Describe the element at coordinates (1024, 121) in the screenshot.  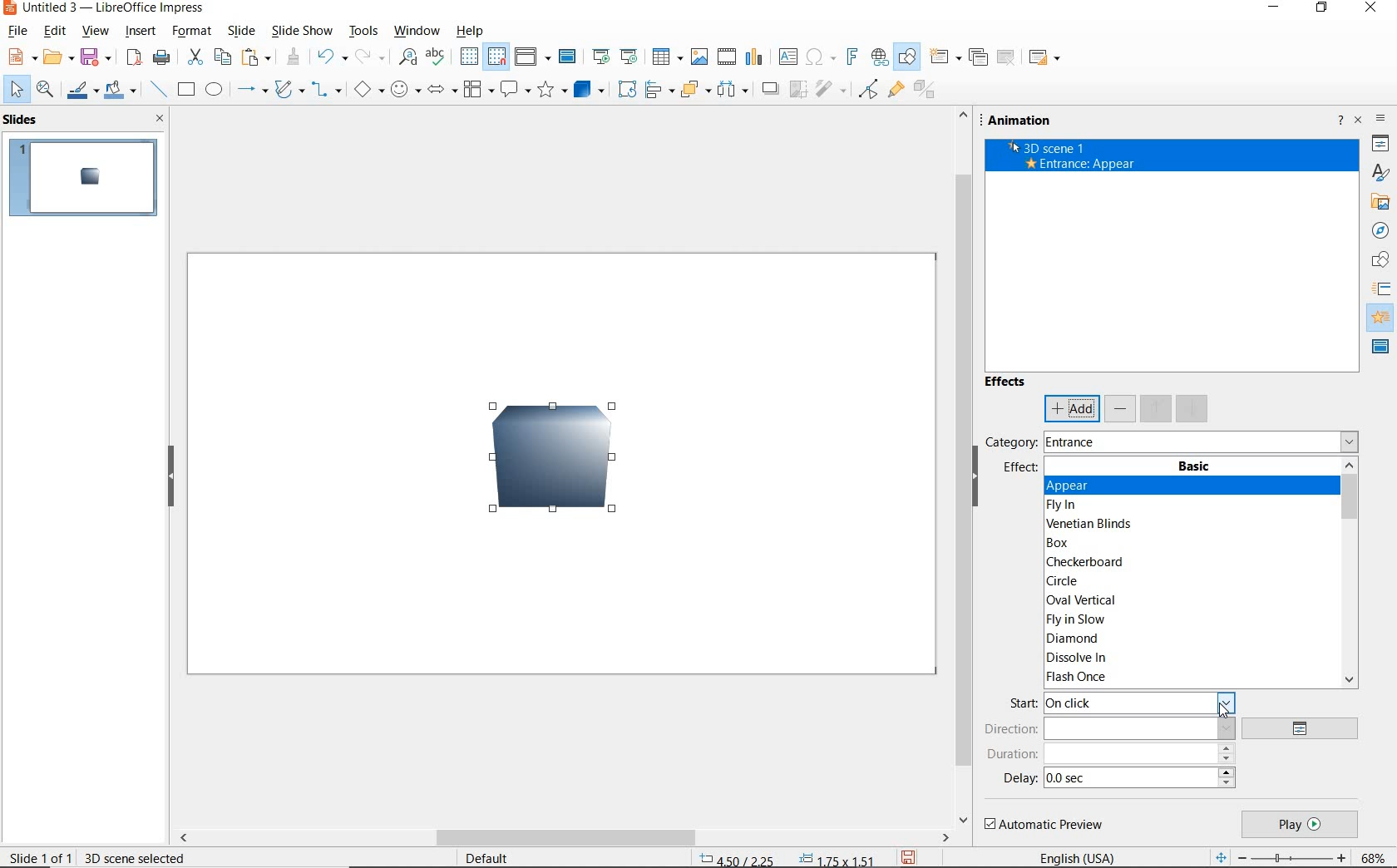
I see `animation` at that location.